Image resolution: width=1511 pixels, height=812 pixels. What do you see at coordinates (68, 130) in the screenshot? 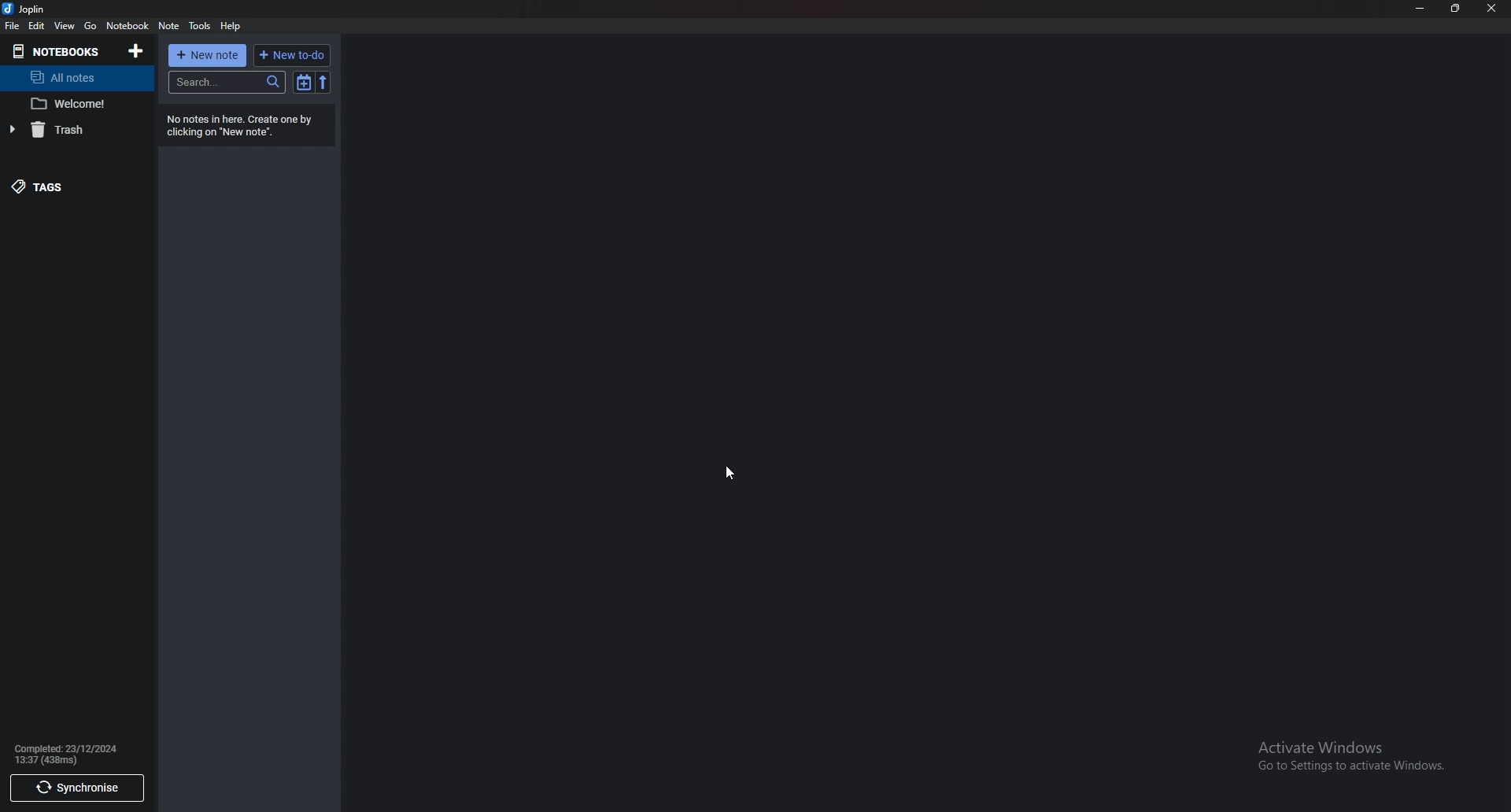
I see `trash` at bounding box center [68, 130].